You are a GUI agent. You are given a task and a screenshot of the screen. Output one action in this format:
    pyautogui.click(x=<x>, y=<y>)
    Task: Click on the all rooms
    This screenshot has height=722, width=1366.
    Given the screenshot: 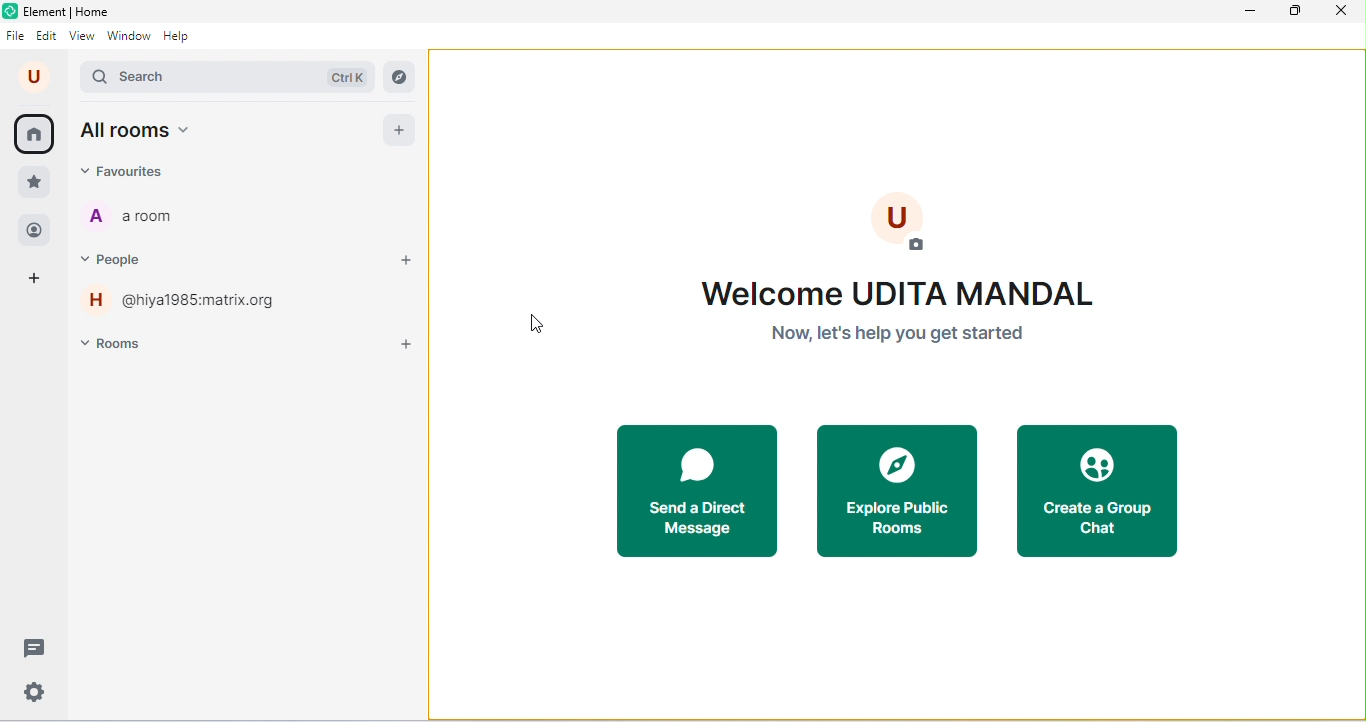 What is the action you would take?
    pyautogui.click(x=140, y=131)
    